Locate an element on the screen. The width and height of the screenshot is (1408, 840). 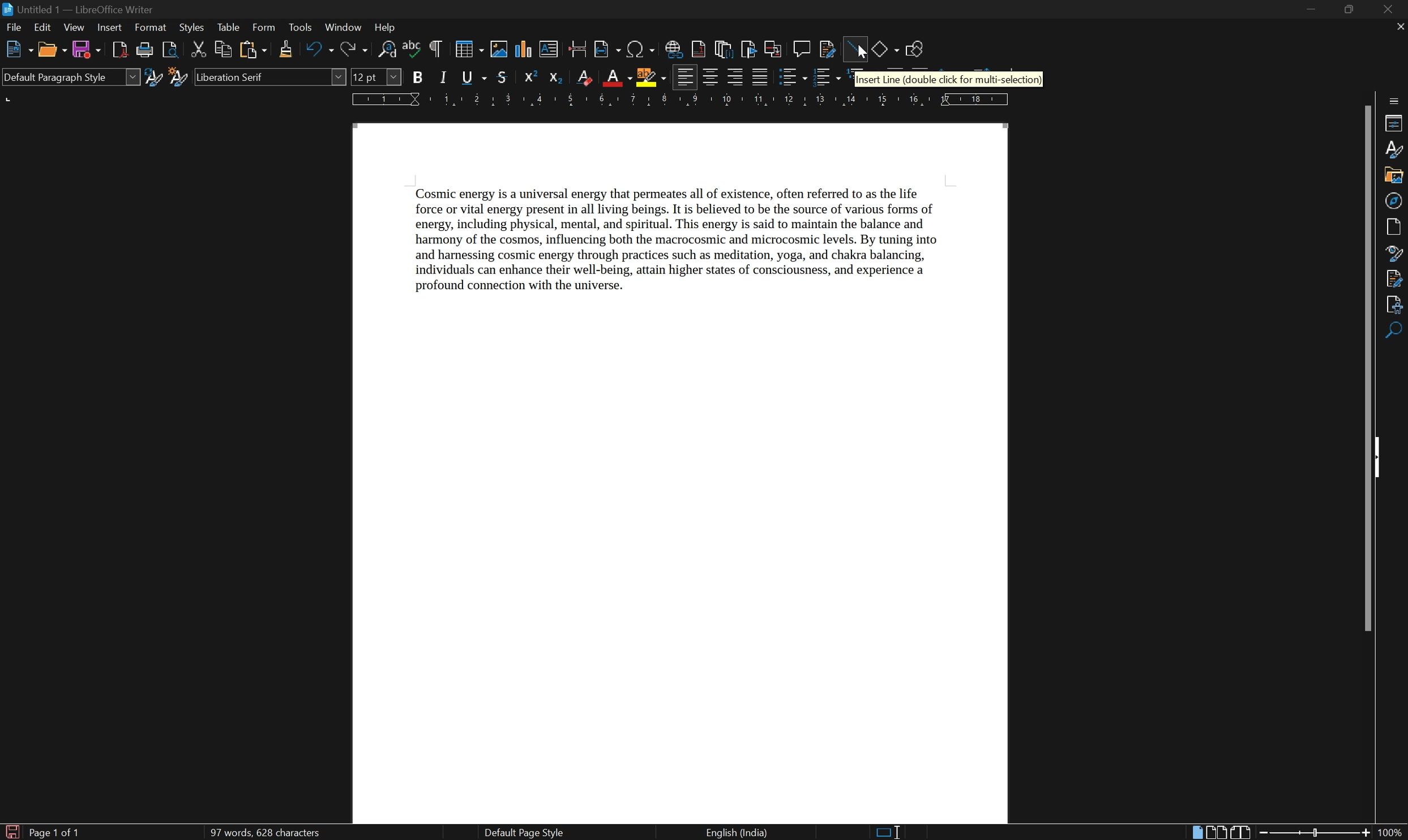
superscript is located at coordinates (532, 77).